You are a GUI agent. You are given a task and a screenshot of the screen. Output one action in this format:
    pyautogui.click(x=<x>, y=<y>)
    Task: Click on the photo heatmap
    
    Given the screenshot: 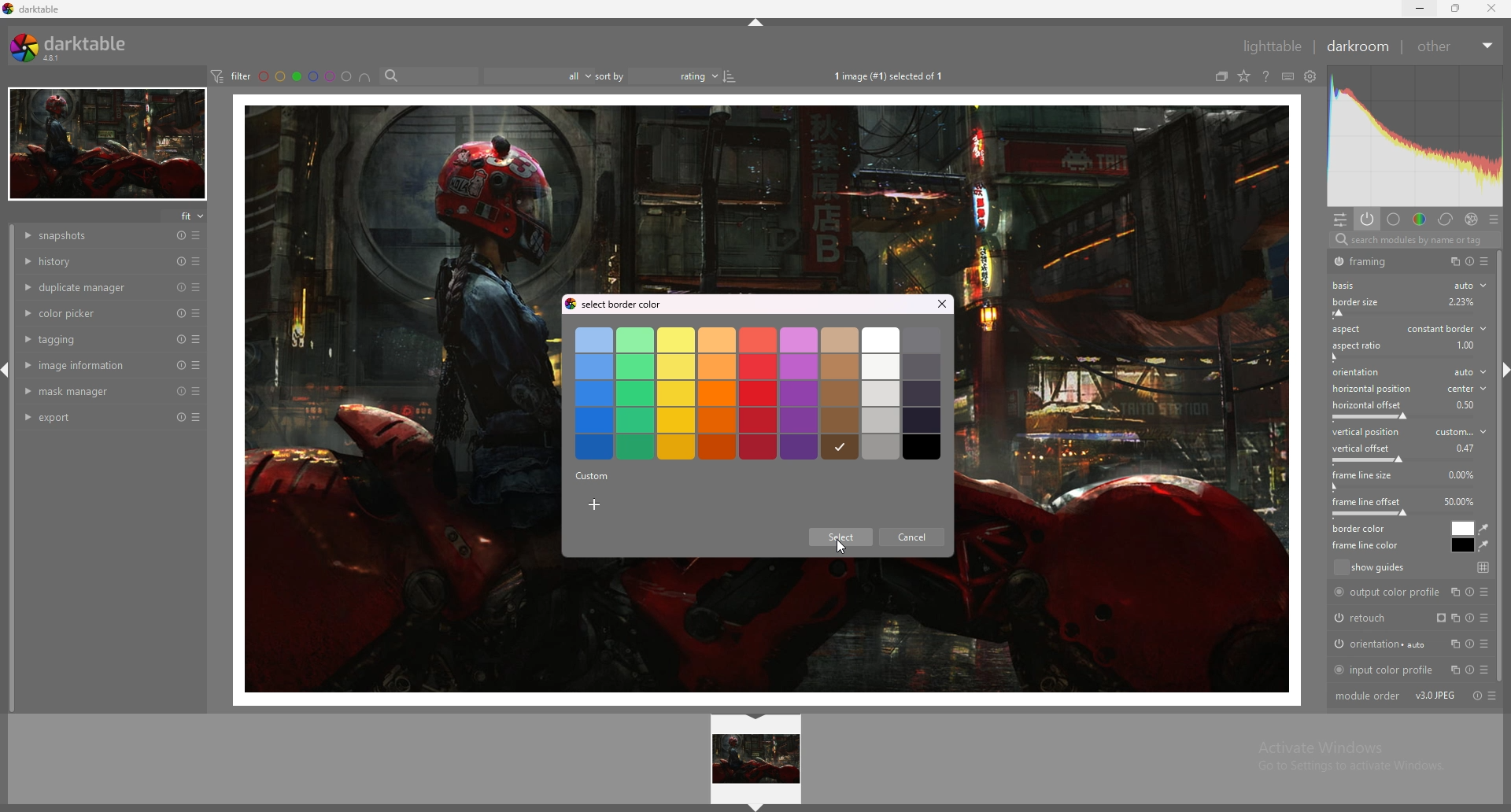 What is the action you would take?
    pyautogui.click(x=1416, y=135)
    